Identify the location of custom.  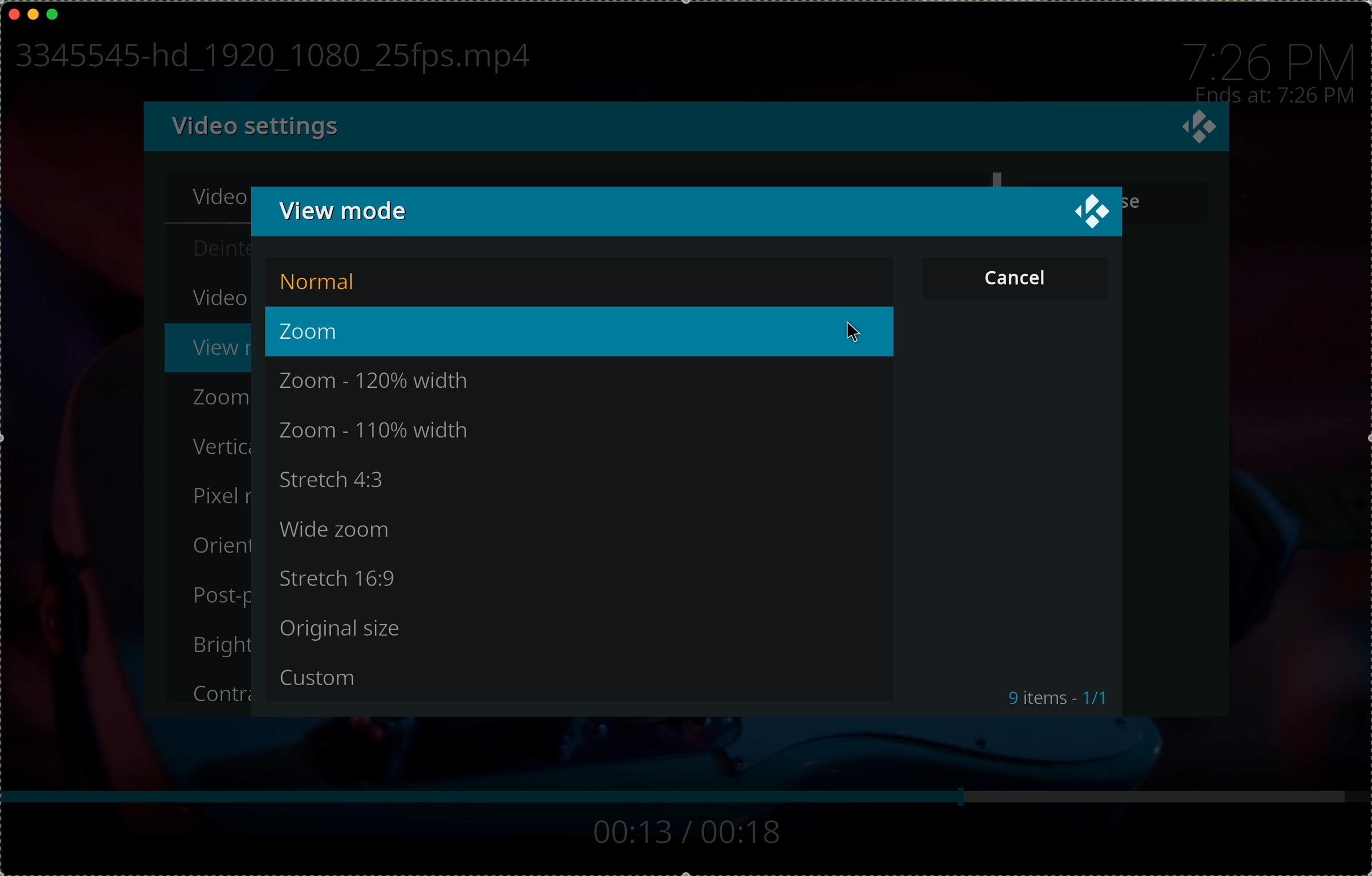
(321, 679).